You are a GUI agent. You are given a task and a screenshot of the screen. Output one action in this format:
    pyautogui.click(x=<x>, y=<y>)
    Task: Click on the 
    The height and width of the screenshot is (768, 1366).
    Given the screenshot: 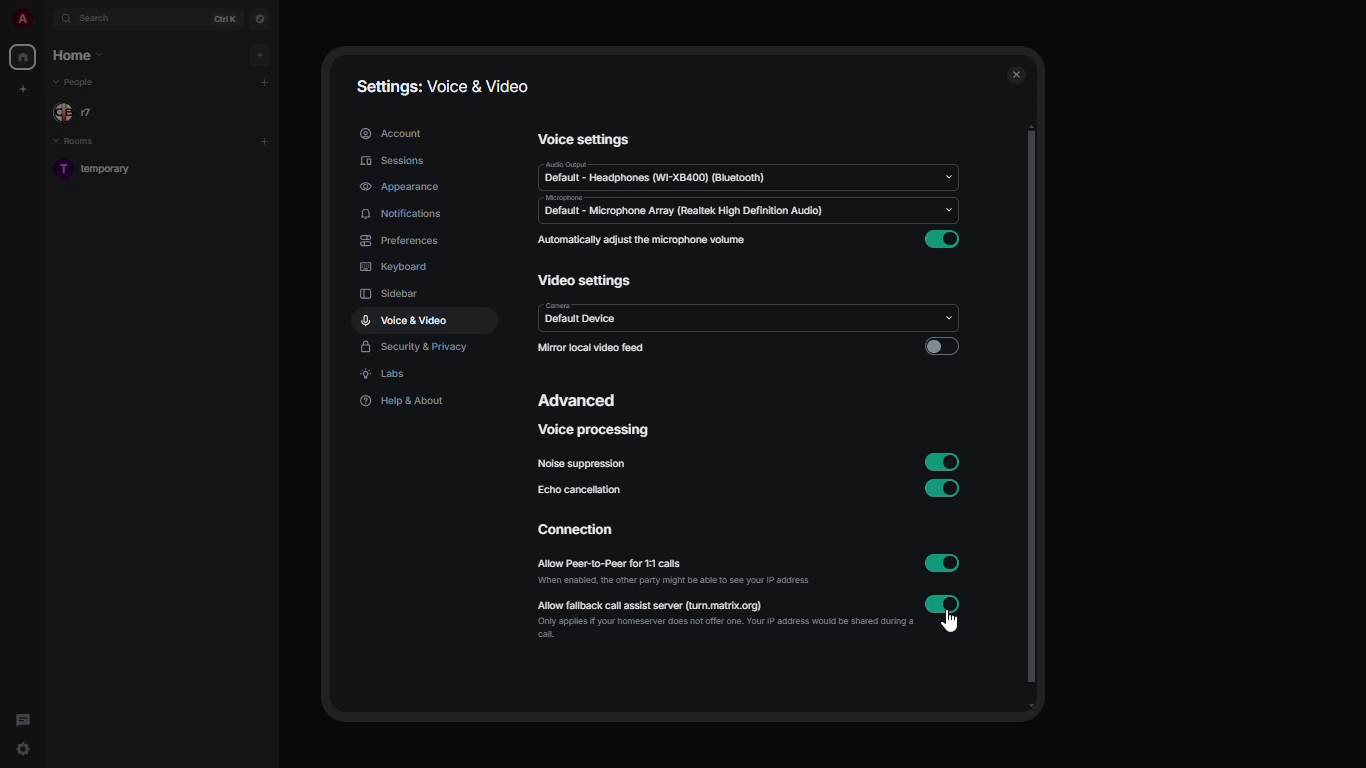 What is the action you would take?
    pyautogui.click(x=948, y=212)
    